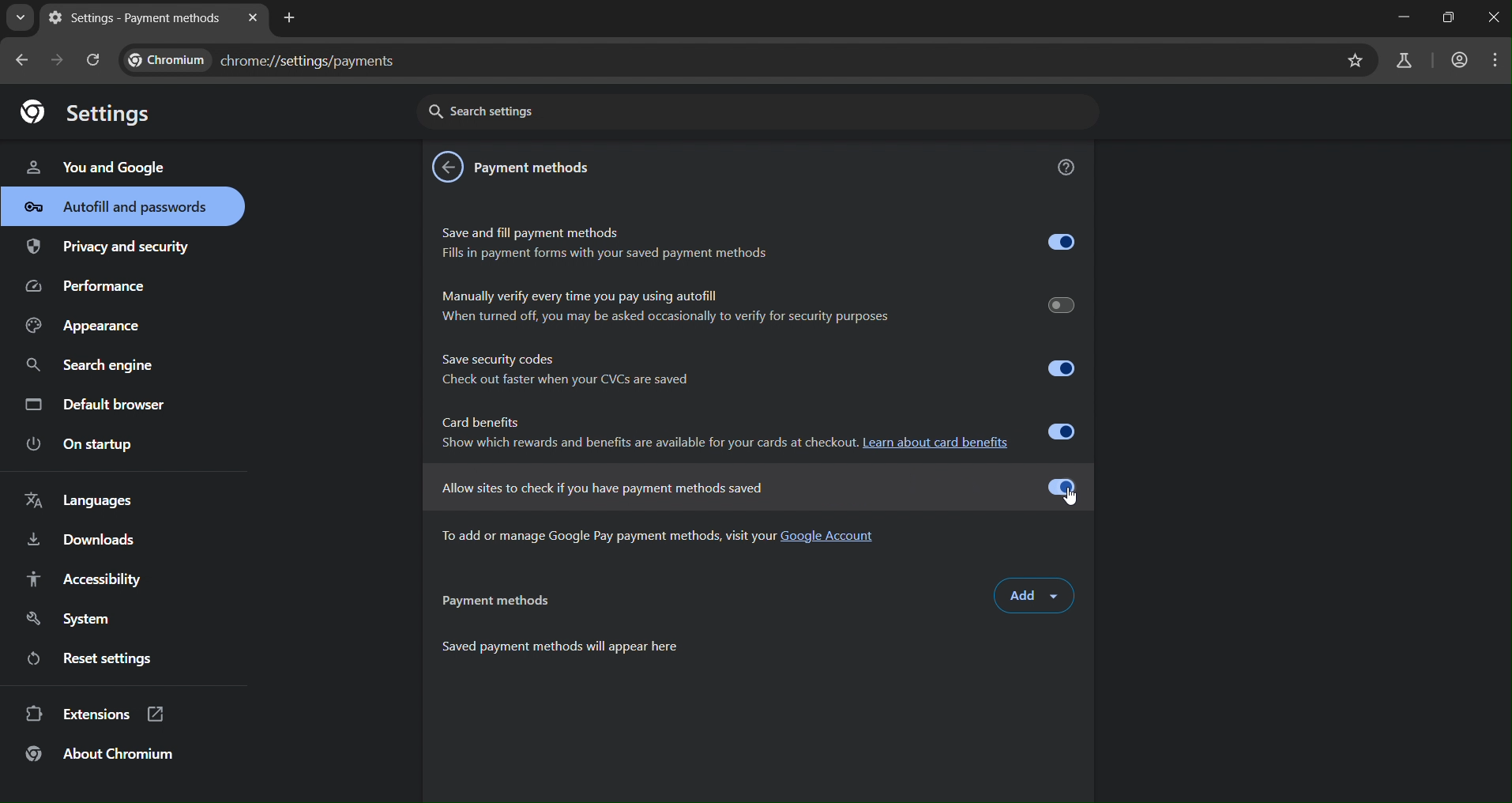 This screenshot has width=1512, height=803. What do you see at coordinates (92, 658) in the screenshot?
I see `reset settings` at bounding box center [92, 658].